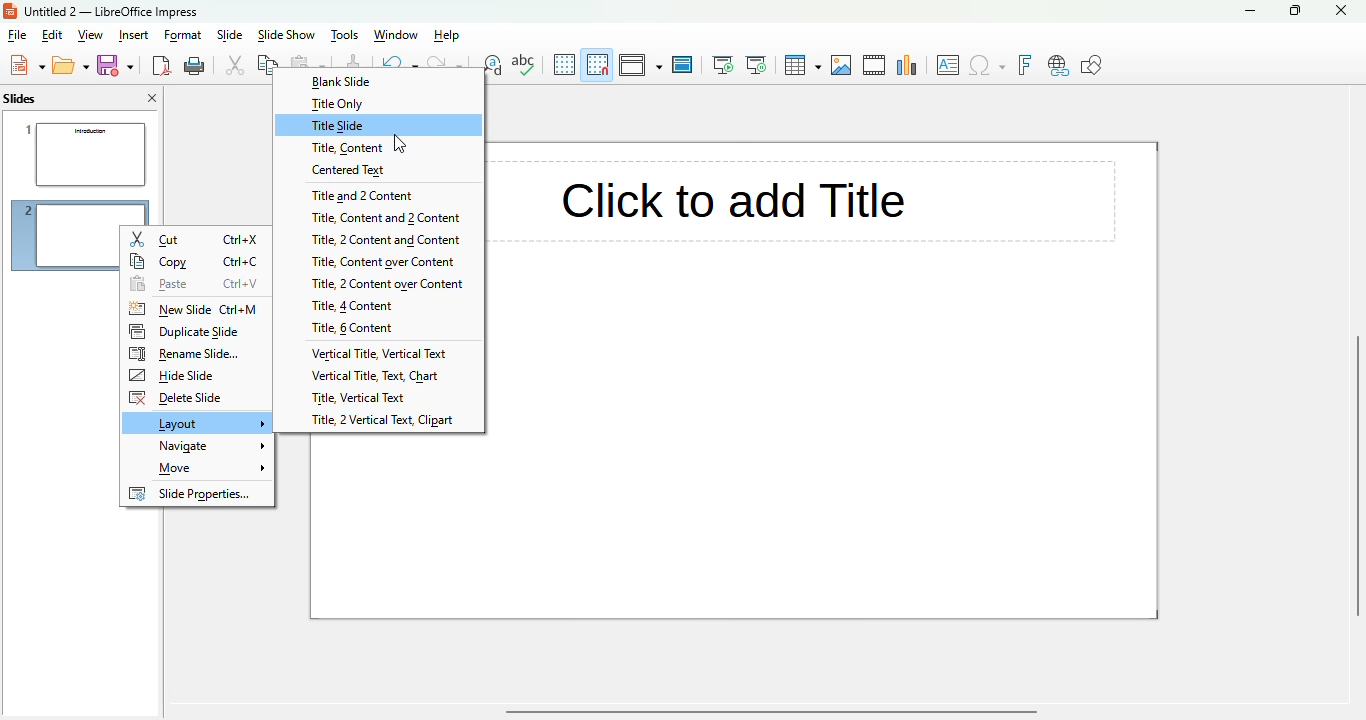  What do you see at coordinates (195, 309) in the screenshot?
I see `new slide` at bounding box center [195, 309].